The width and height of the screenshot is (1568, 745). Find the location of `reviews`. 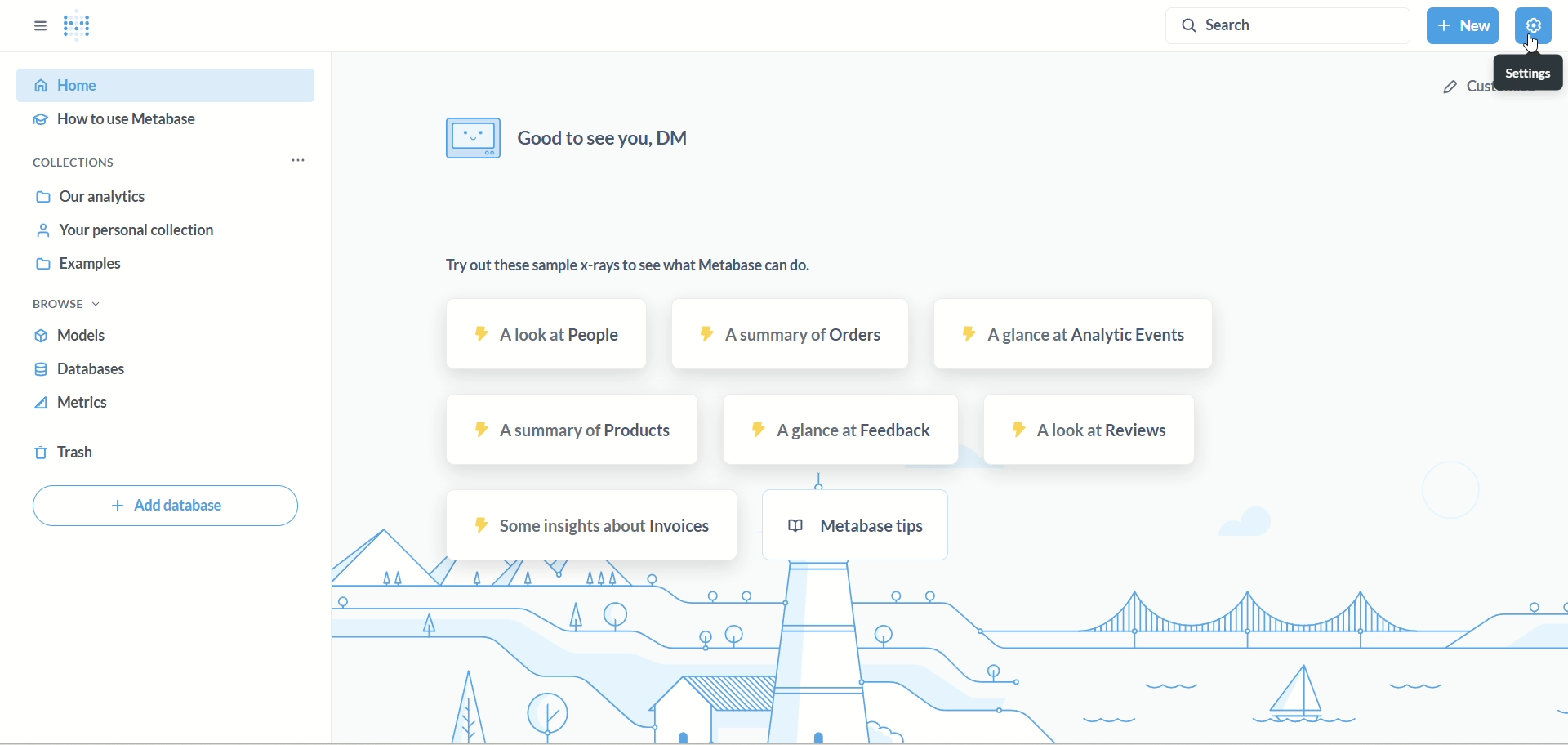

reviews is located at coordinates (1086, 430).